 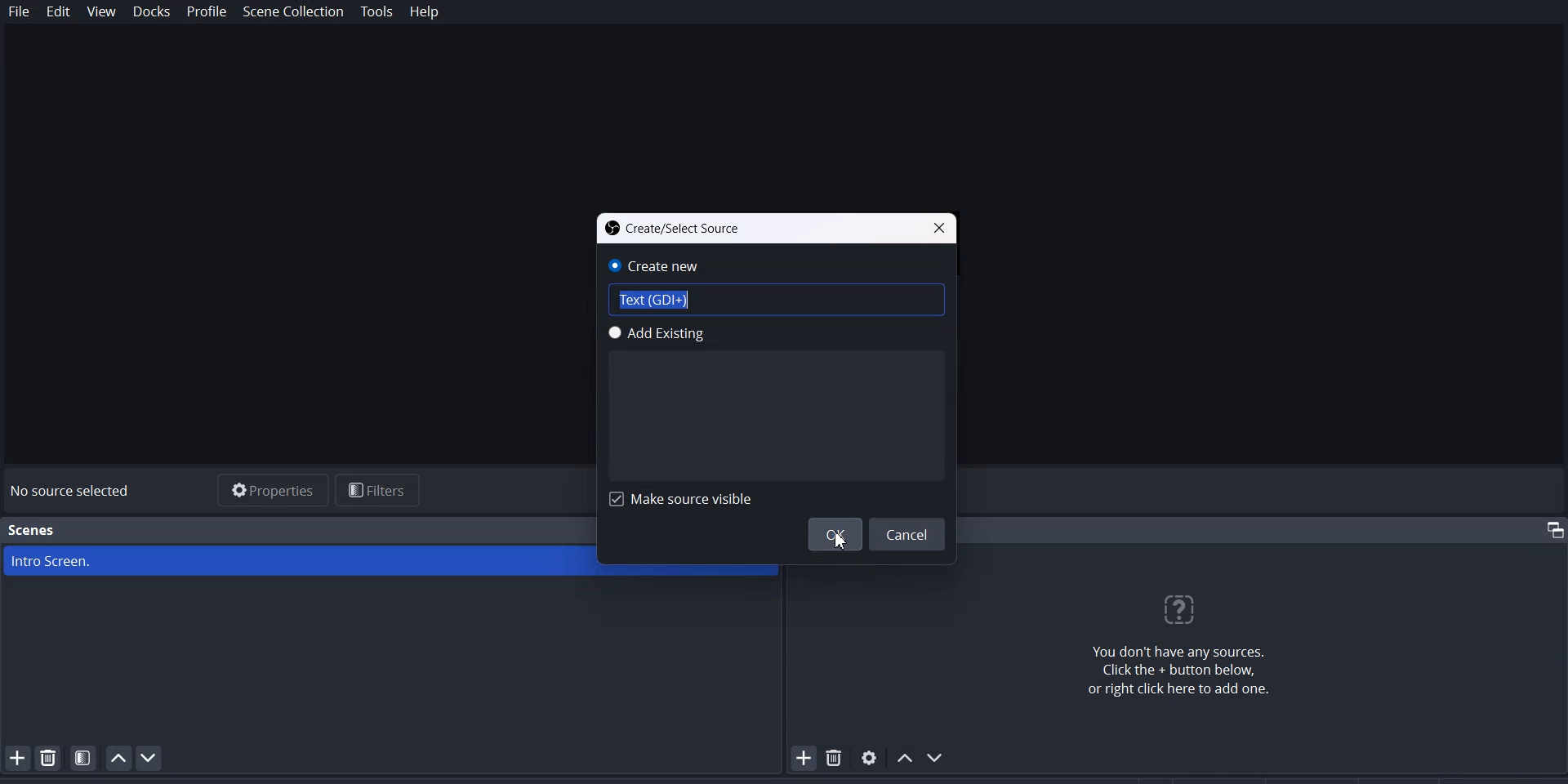 What do you see at coordinates (1548, 527) in the screenshot?
I see `Maximize` at bounding box center [1548, 527].